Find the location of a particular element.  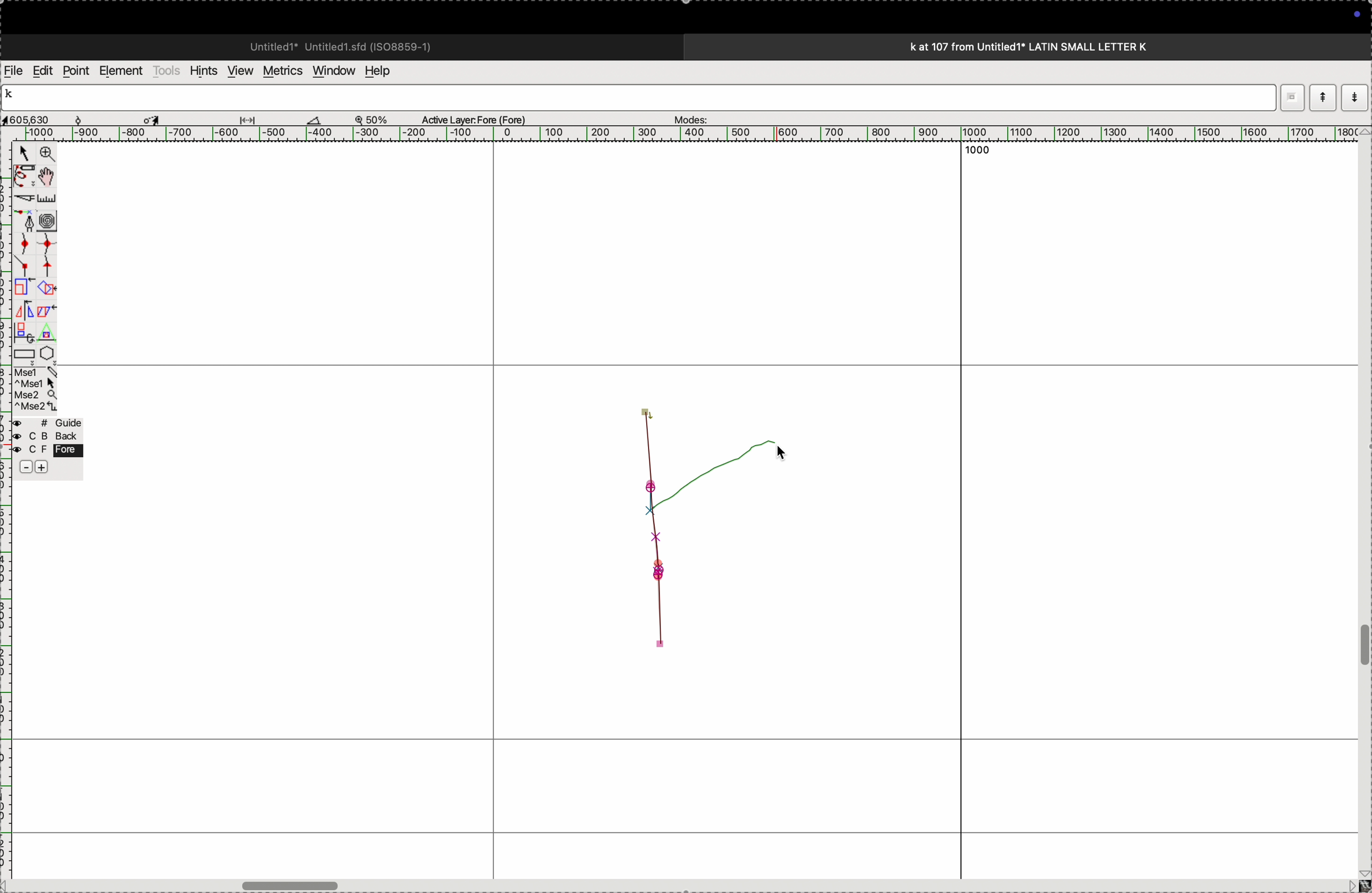

co ordinates is located at coordinates (40, 116).